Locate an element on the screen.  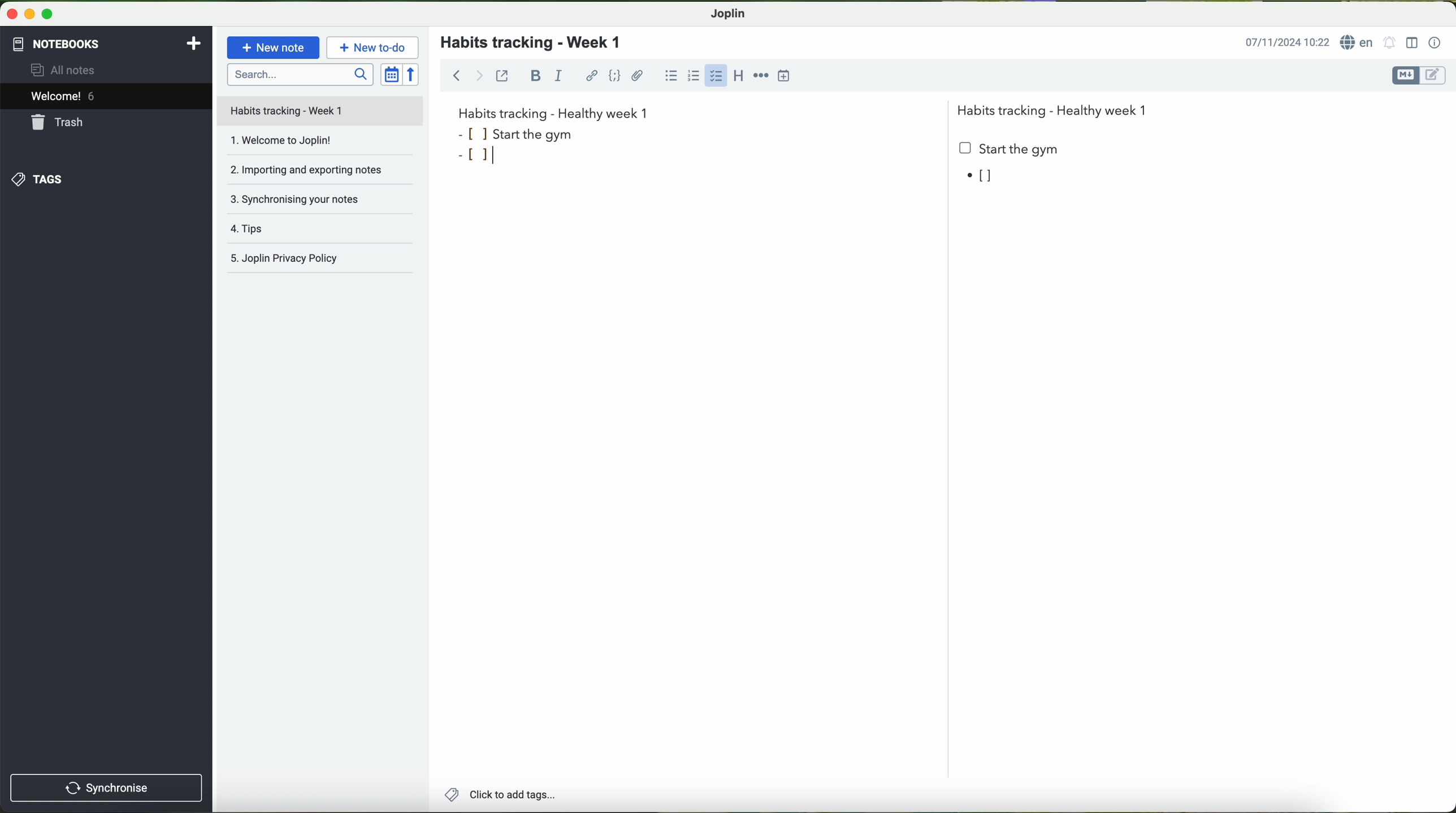
date and hour is located at coordinates (1287, 41).